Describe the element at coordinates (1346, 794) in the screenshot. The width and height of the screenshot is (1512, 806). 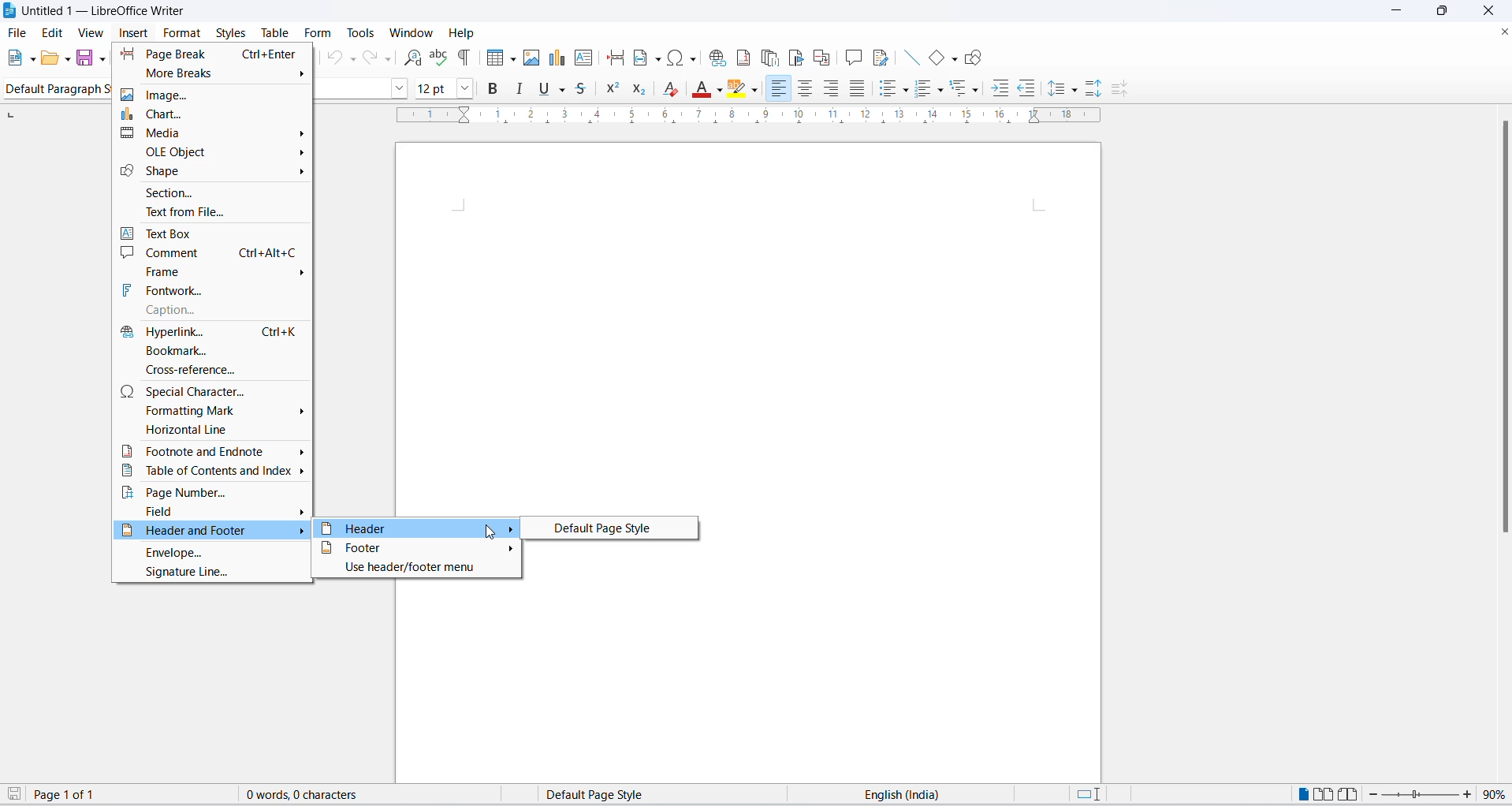
I see `book view` at that location.